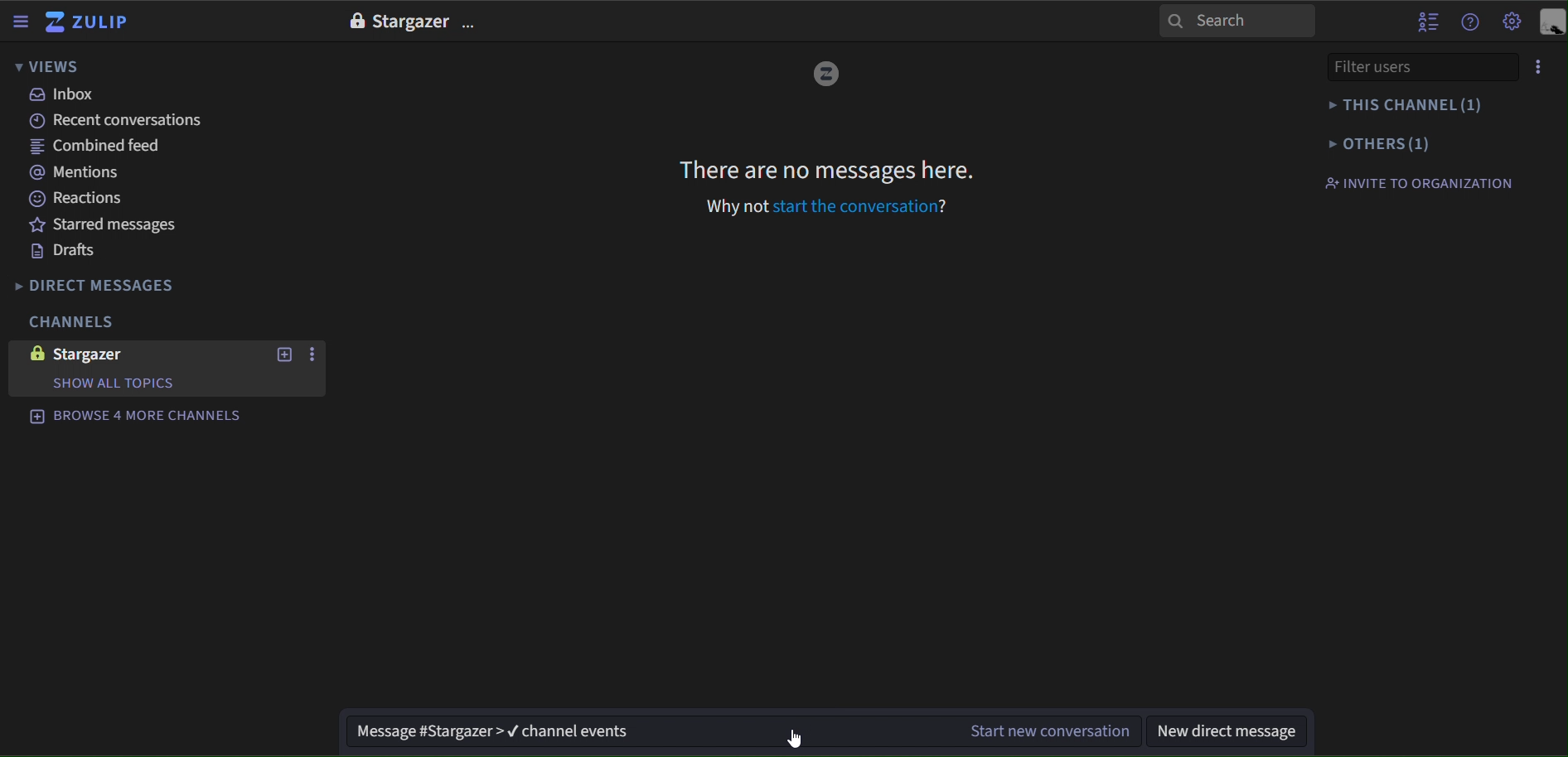 This screenshot has height=757, width=1568. Describe the element at coordinates (123, 121) in the screenshot. I see `recent conversations` at that location.